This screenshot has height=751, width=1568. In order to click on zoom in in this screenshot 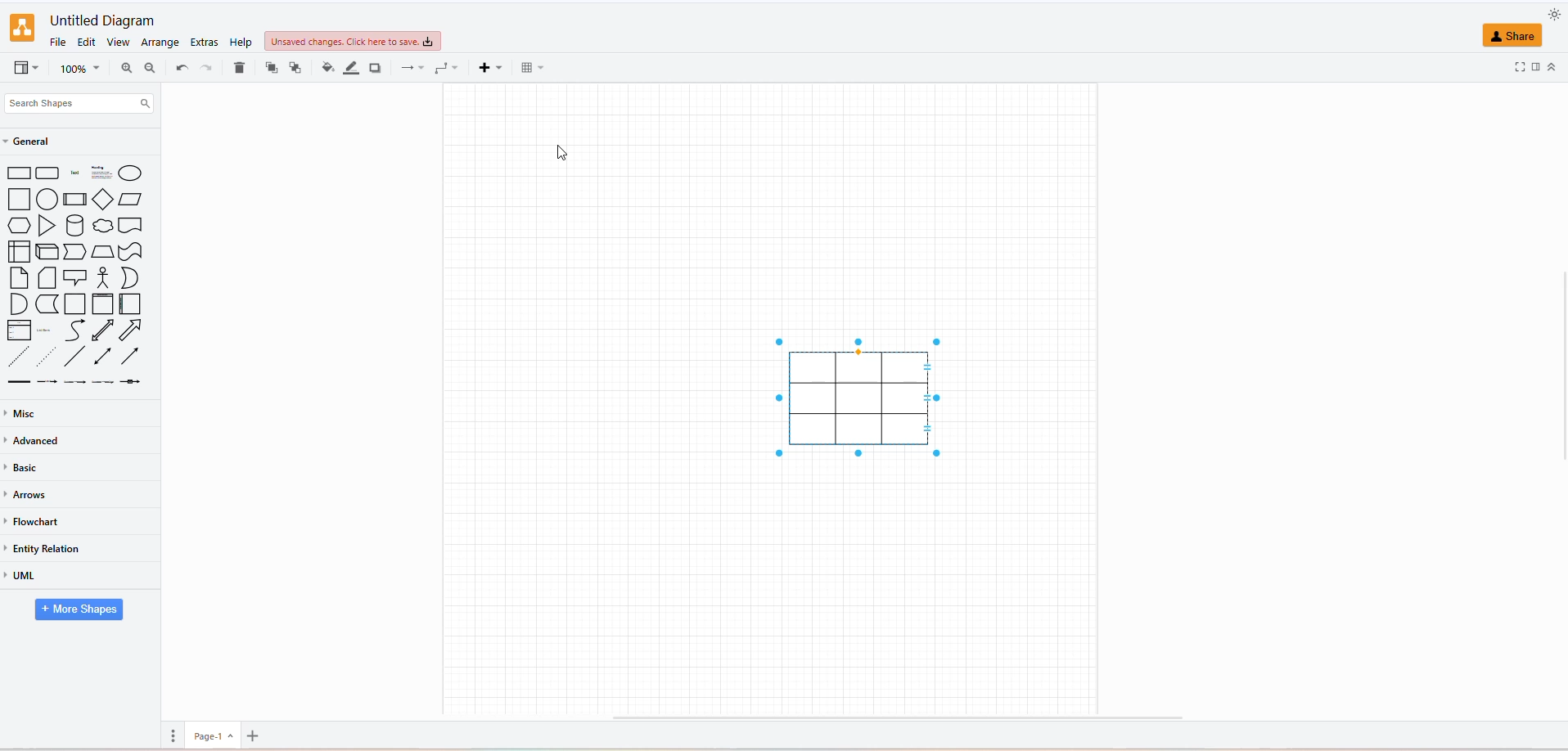, I will do `click(127, 68)`.